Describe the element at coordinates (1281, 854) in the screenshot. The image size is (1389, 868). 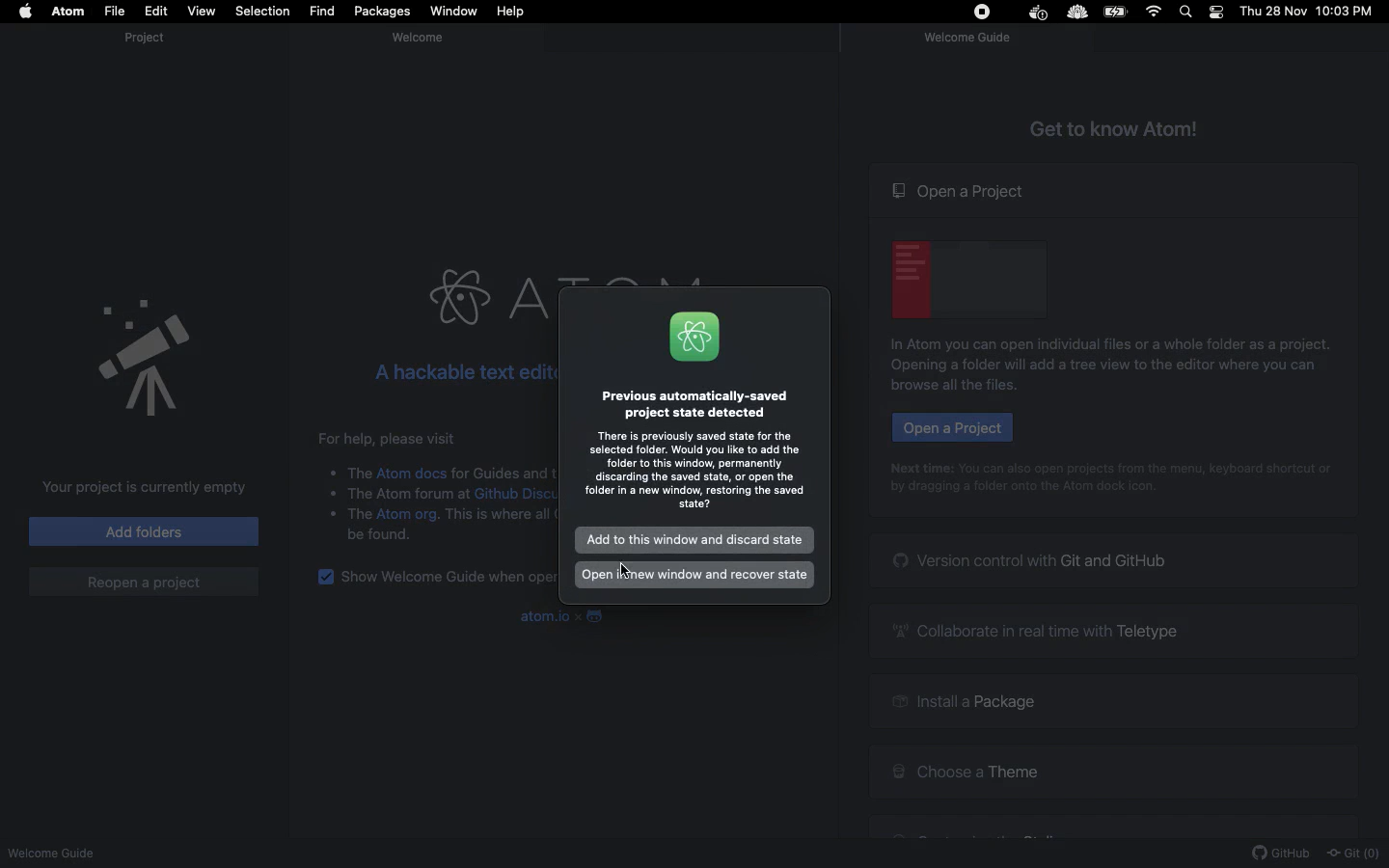
I see `GitHub` at that location.